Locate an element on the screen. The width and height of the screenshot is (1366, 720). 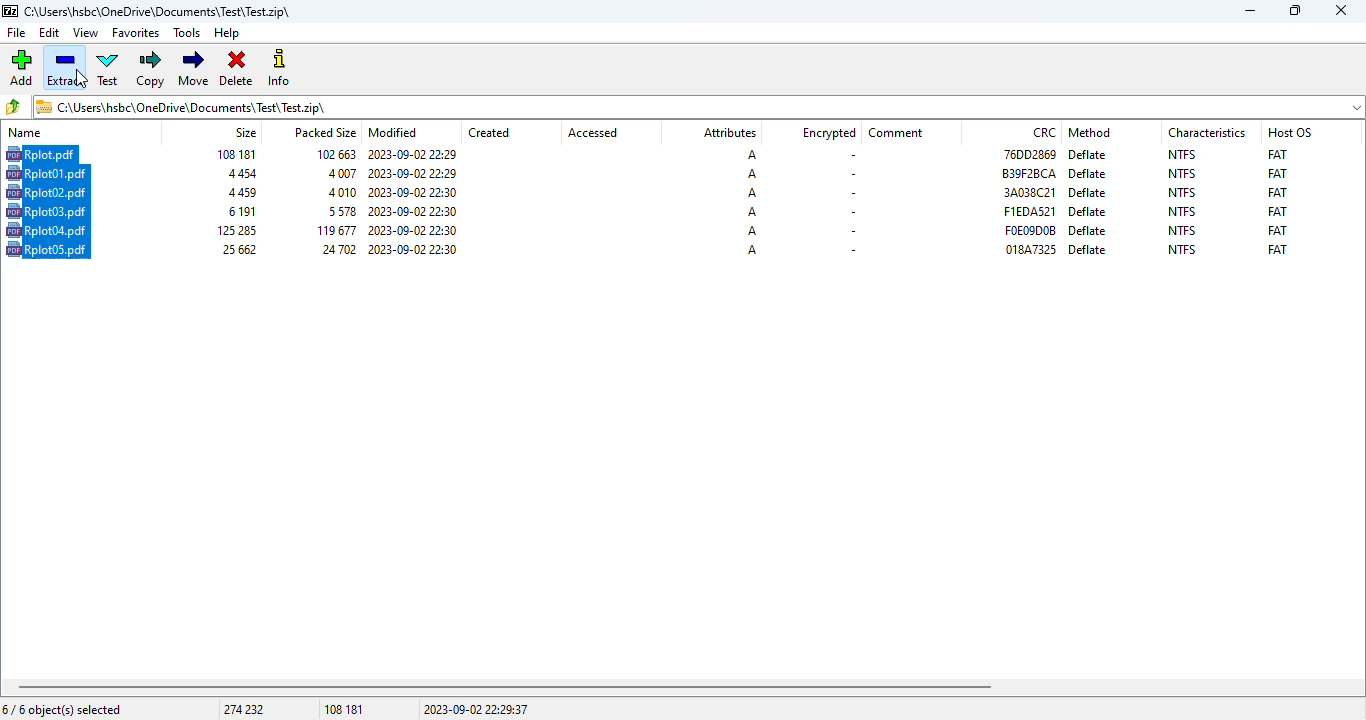
characteristics is located at coordinates (1207, 132).